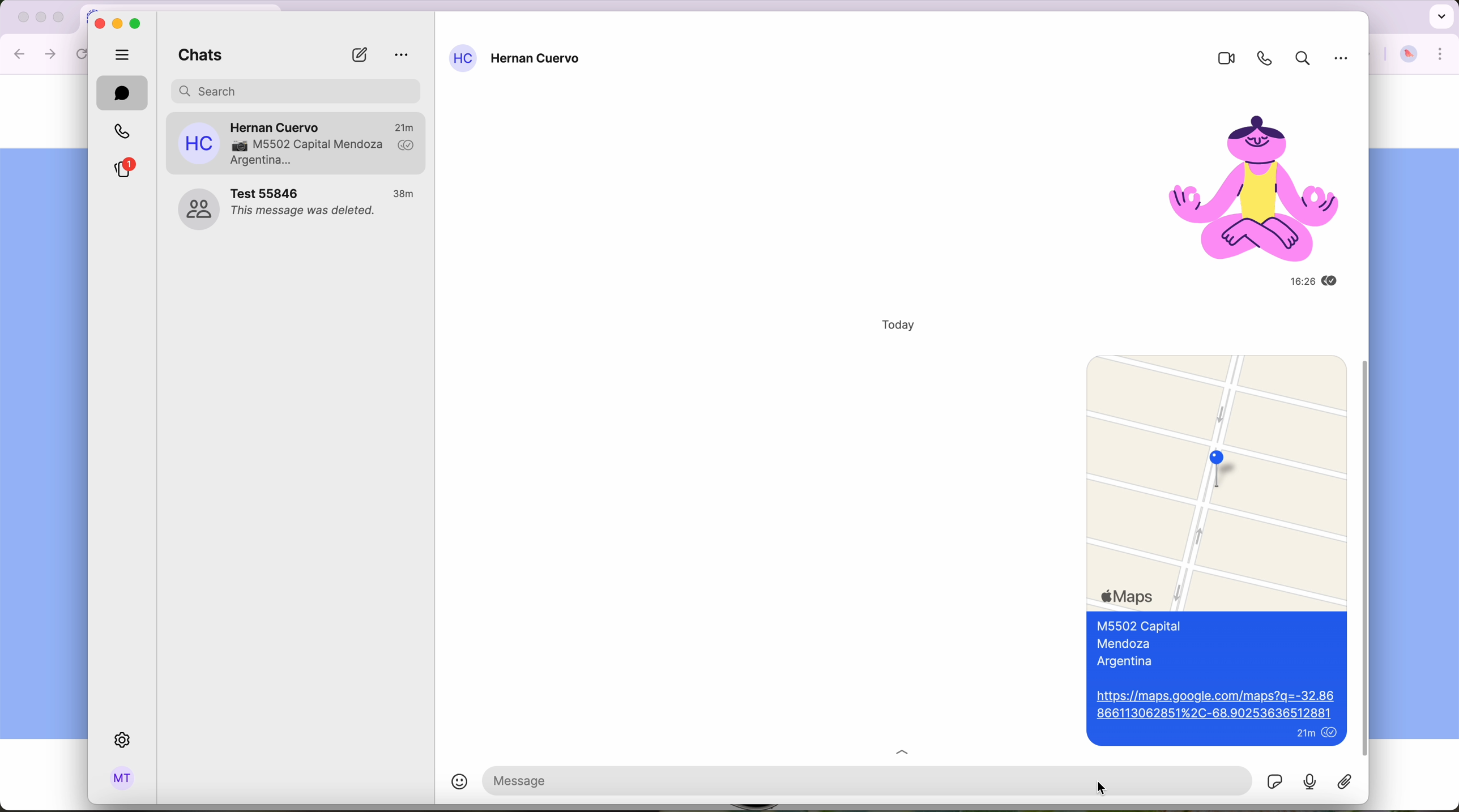 This screenshot has width=1459, height=812. I want to click on navigate arrows, so click(36, 53).